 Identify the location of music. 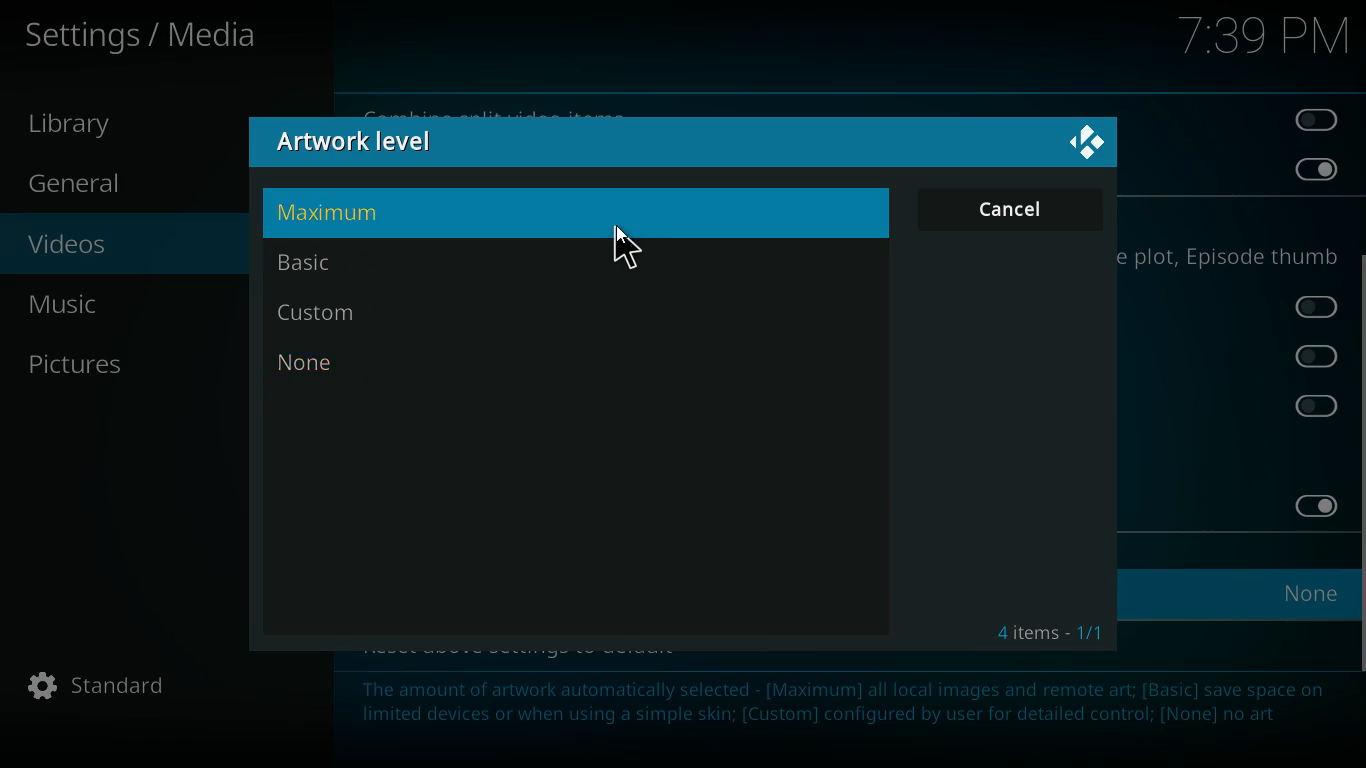
(114, 304).